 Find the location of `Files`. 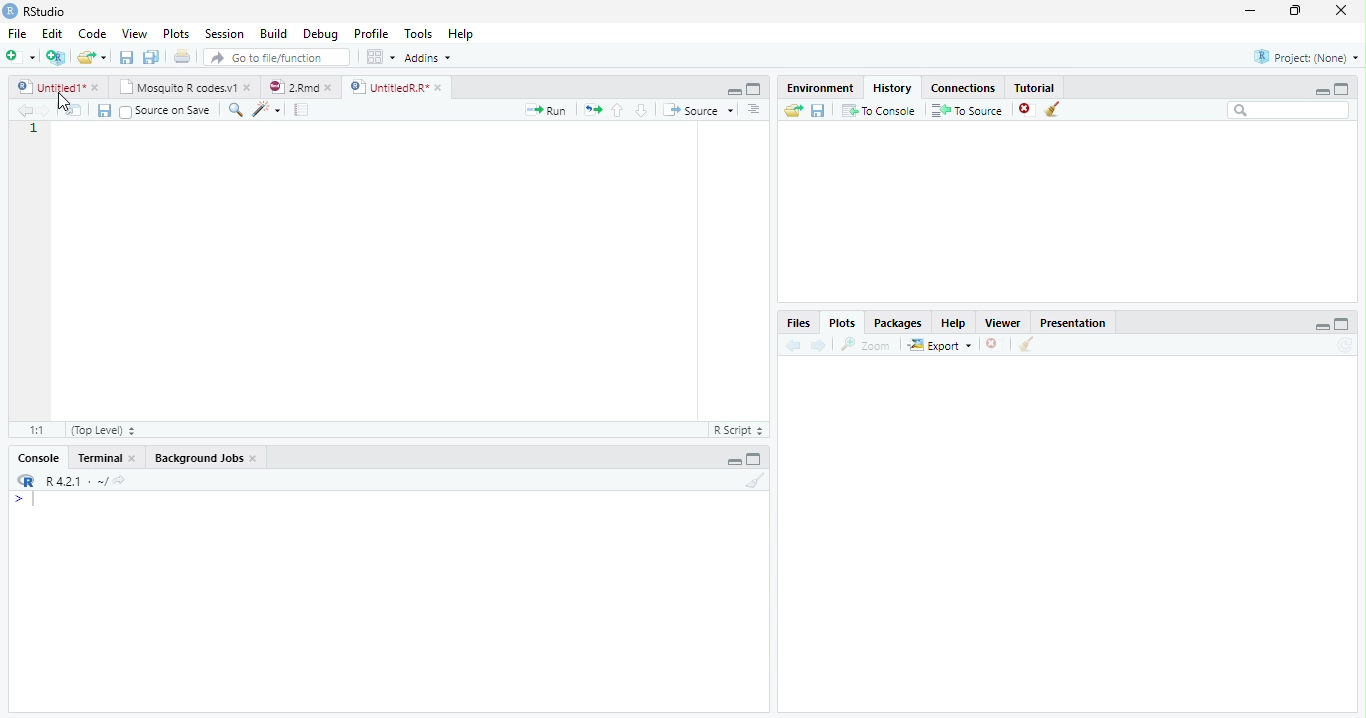

Files is located at coordinates (799, 323).